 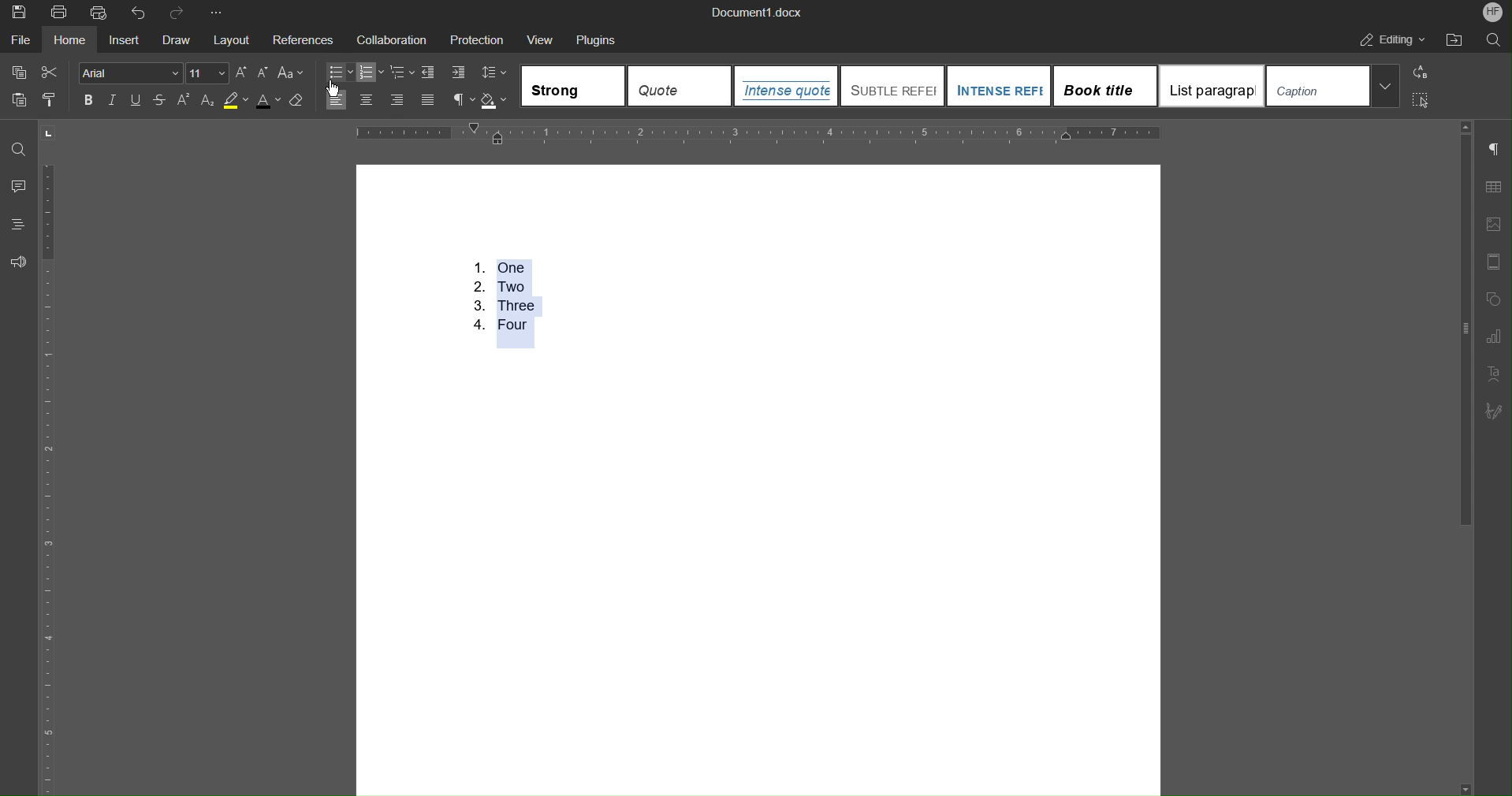 I want to click on Plugins, so click(x=598, y=38).